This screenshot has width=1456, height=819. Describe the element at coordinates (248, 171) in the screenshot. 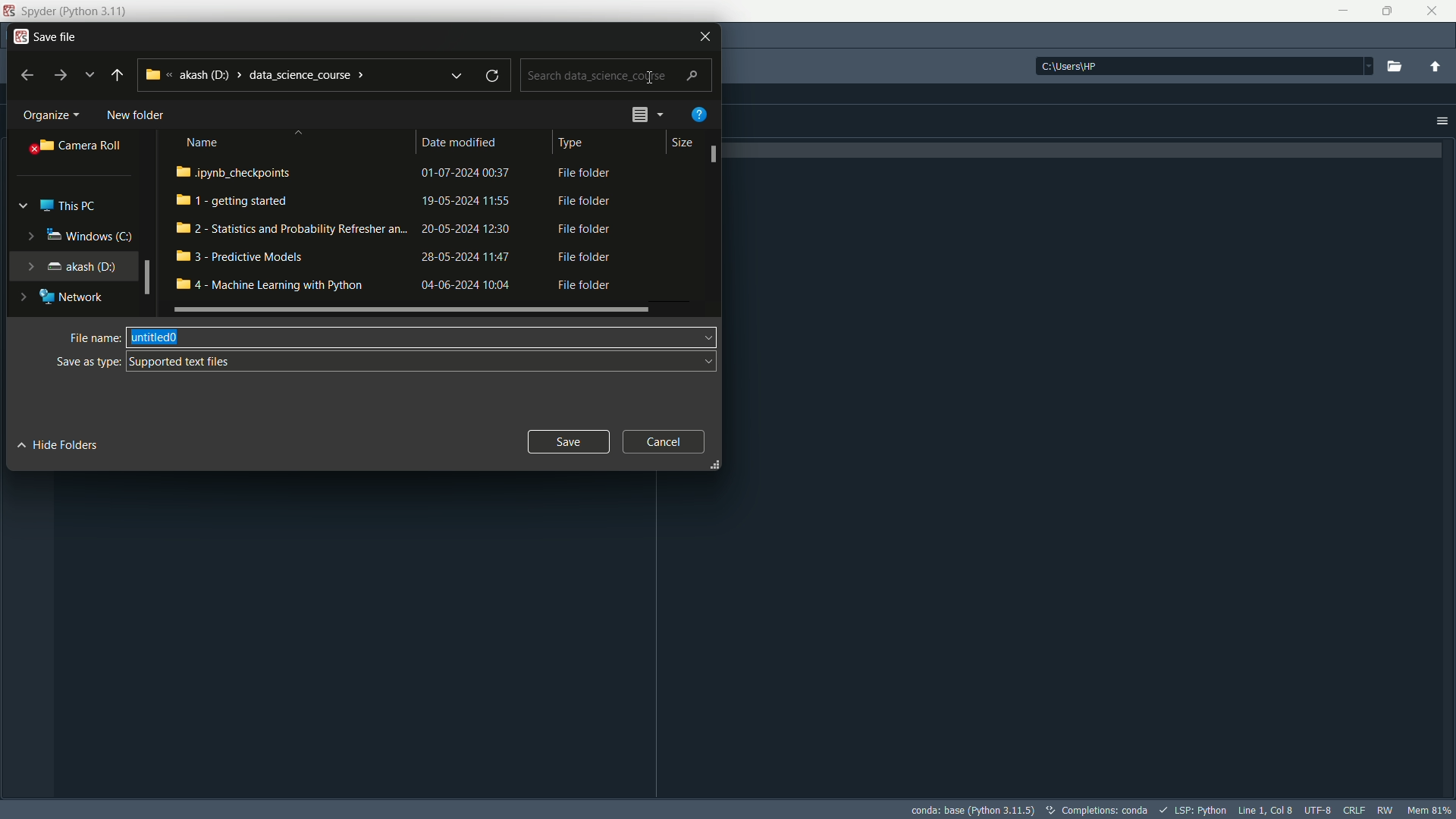

I see `I ipynb_checkpoints` at that location.